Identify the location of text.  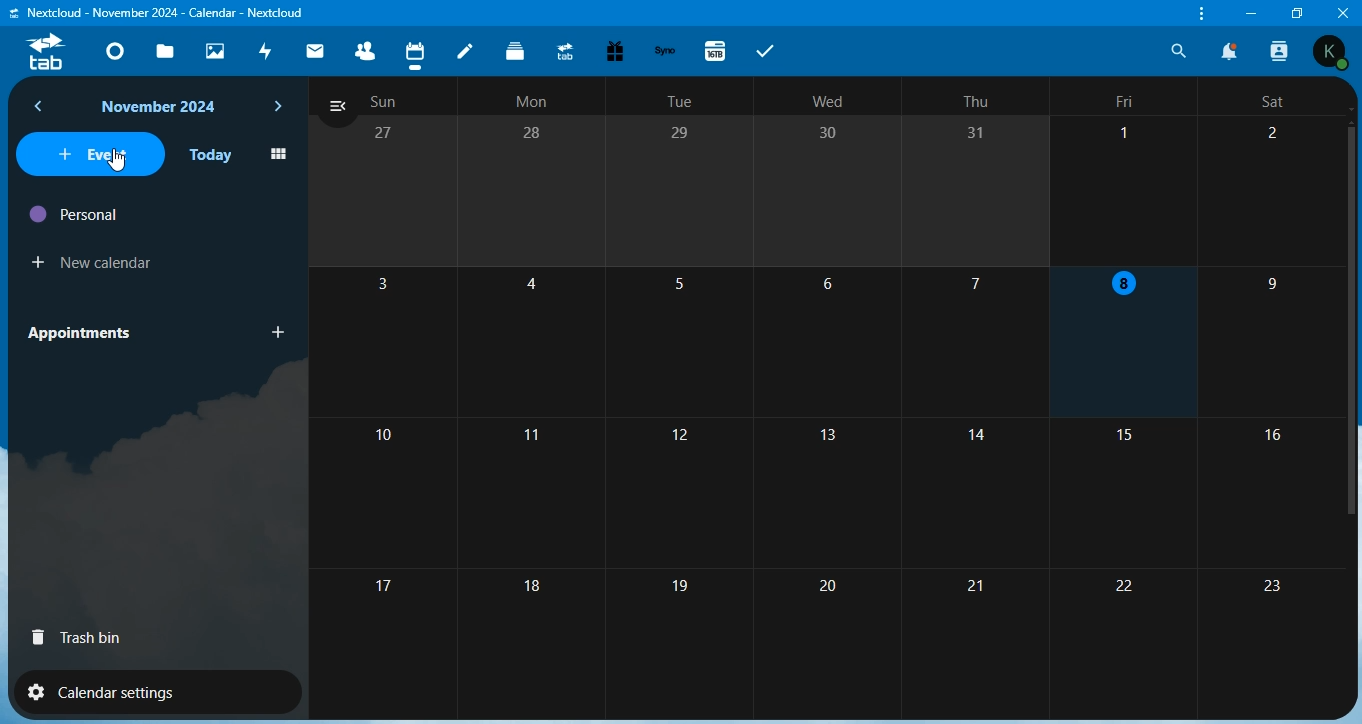
(828, 100).